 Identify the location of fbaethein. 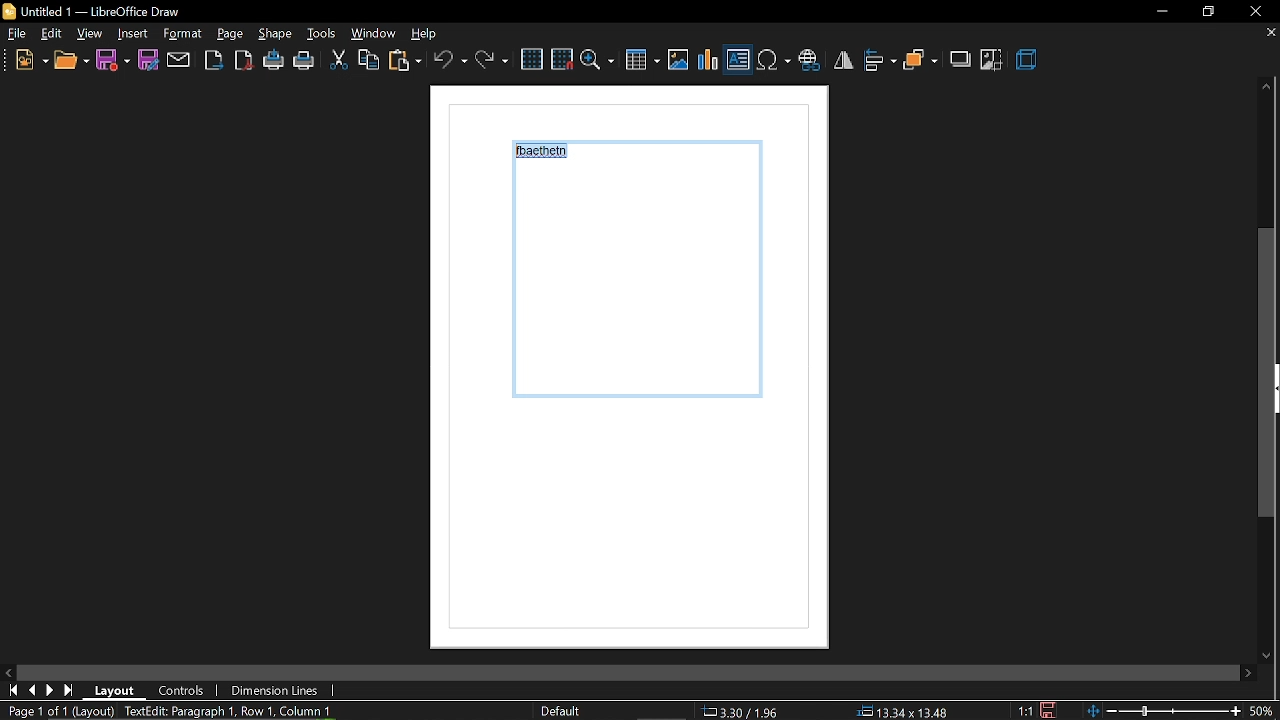
(545, 154).